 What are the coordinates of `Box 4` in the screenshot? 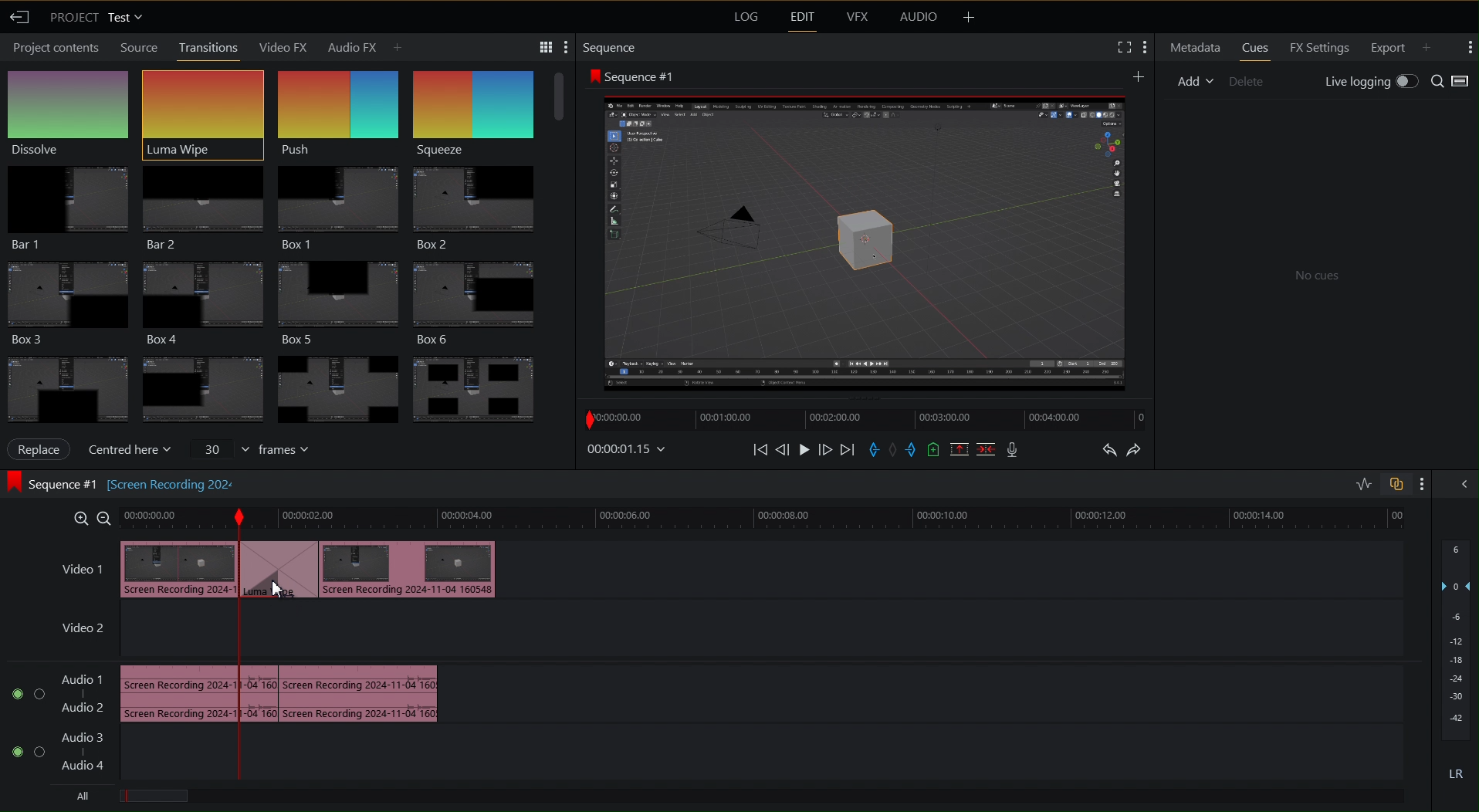 It's located at (201, 299).